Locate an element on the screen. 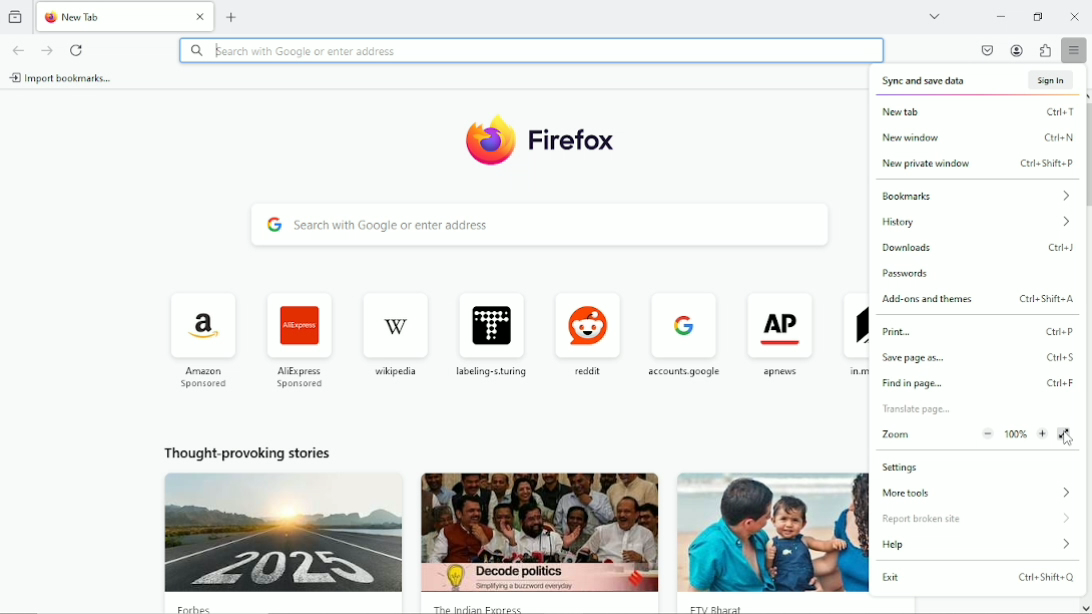 The height and width of the screenshot is (614, 1092). help is located at coordinates (978, 544).